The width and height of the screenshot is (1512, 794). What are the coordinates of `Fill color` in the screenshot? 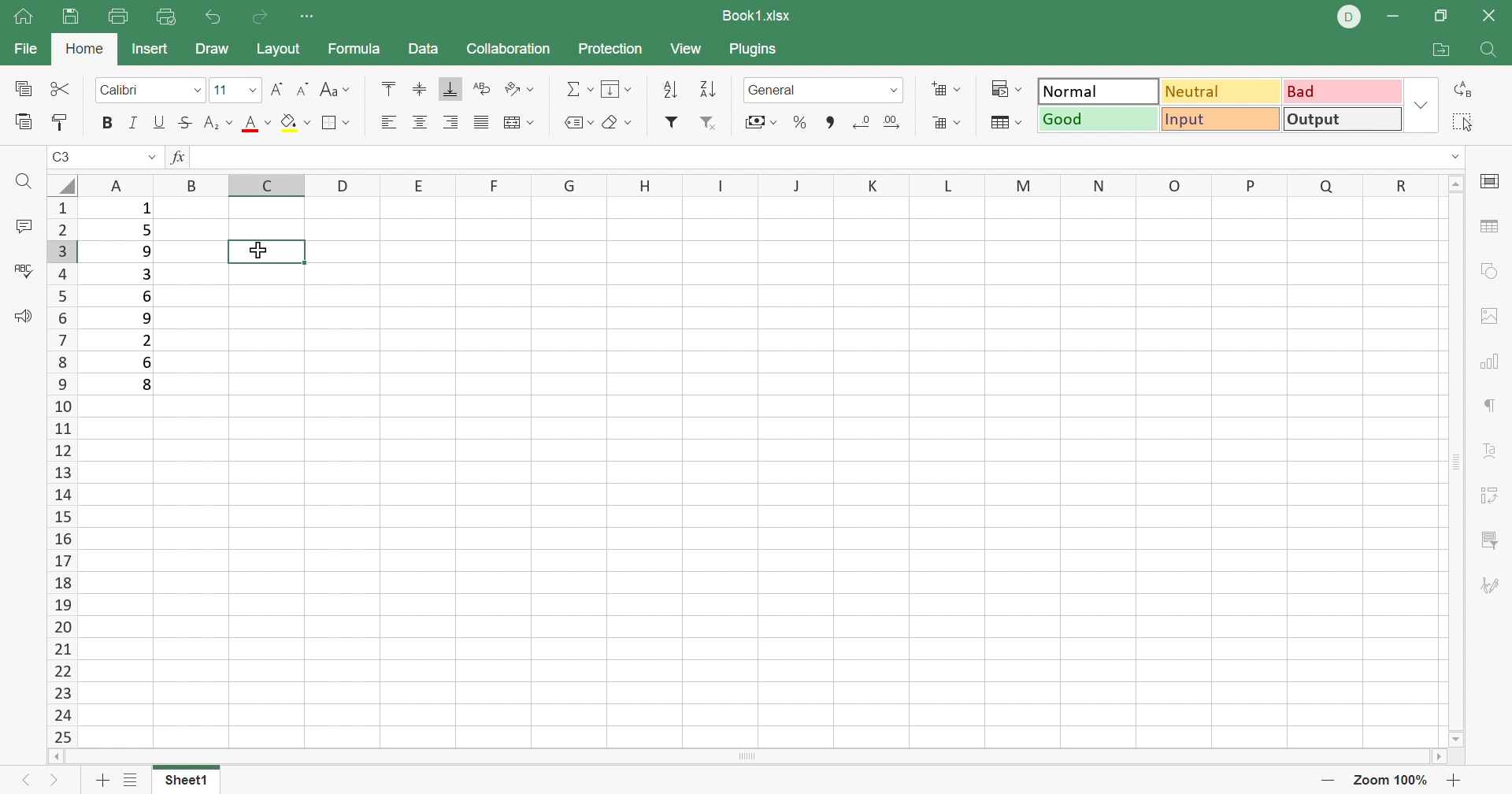 It's located at (295, 122).